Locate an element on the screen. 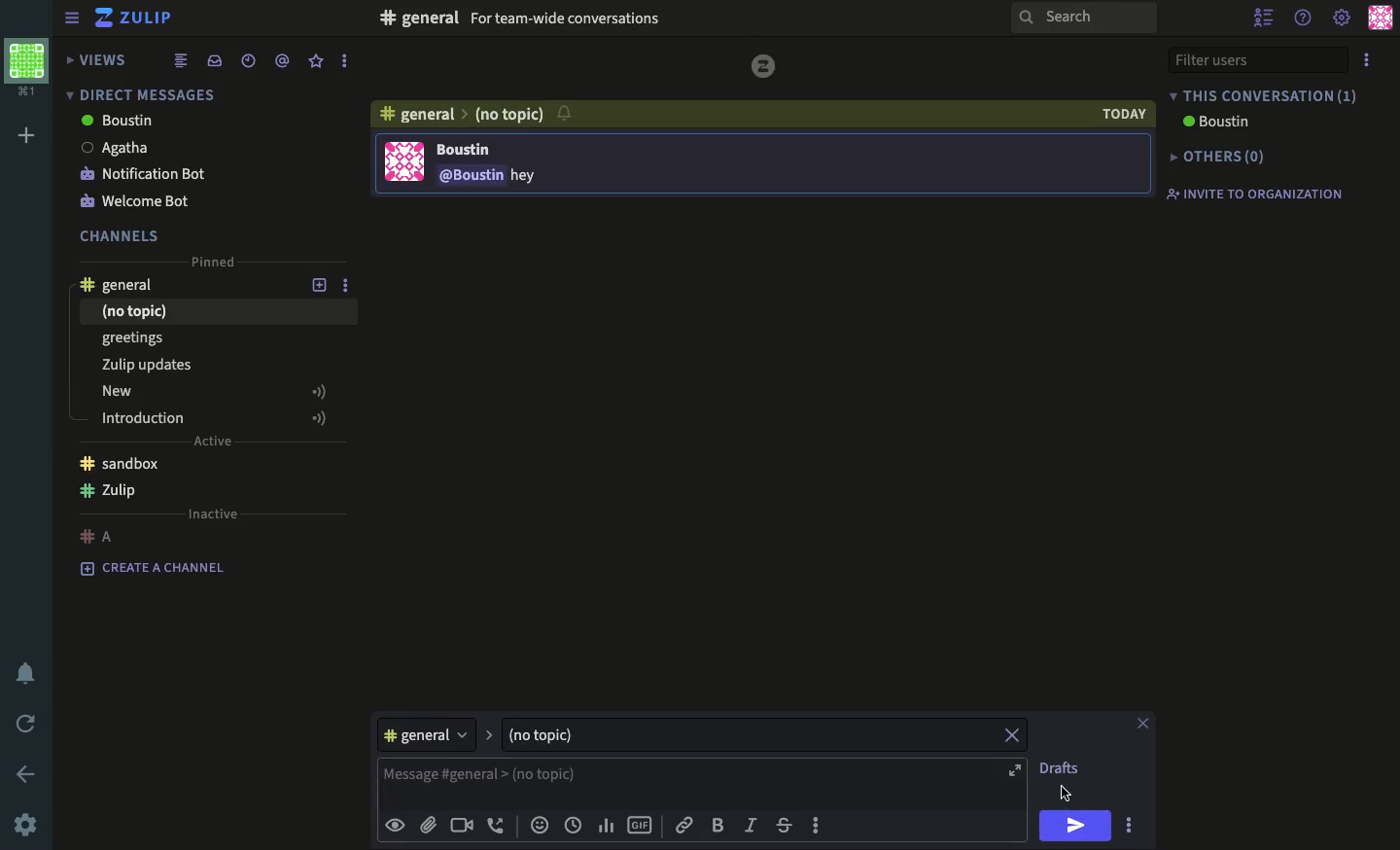  boustin is located at coordinates (117, 122).